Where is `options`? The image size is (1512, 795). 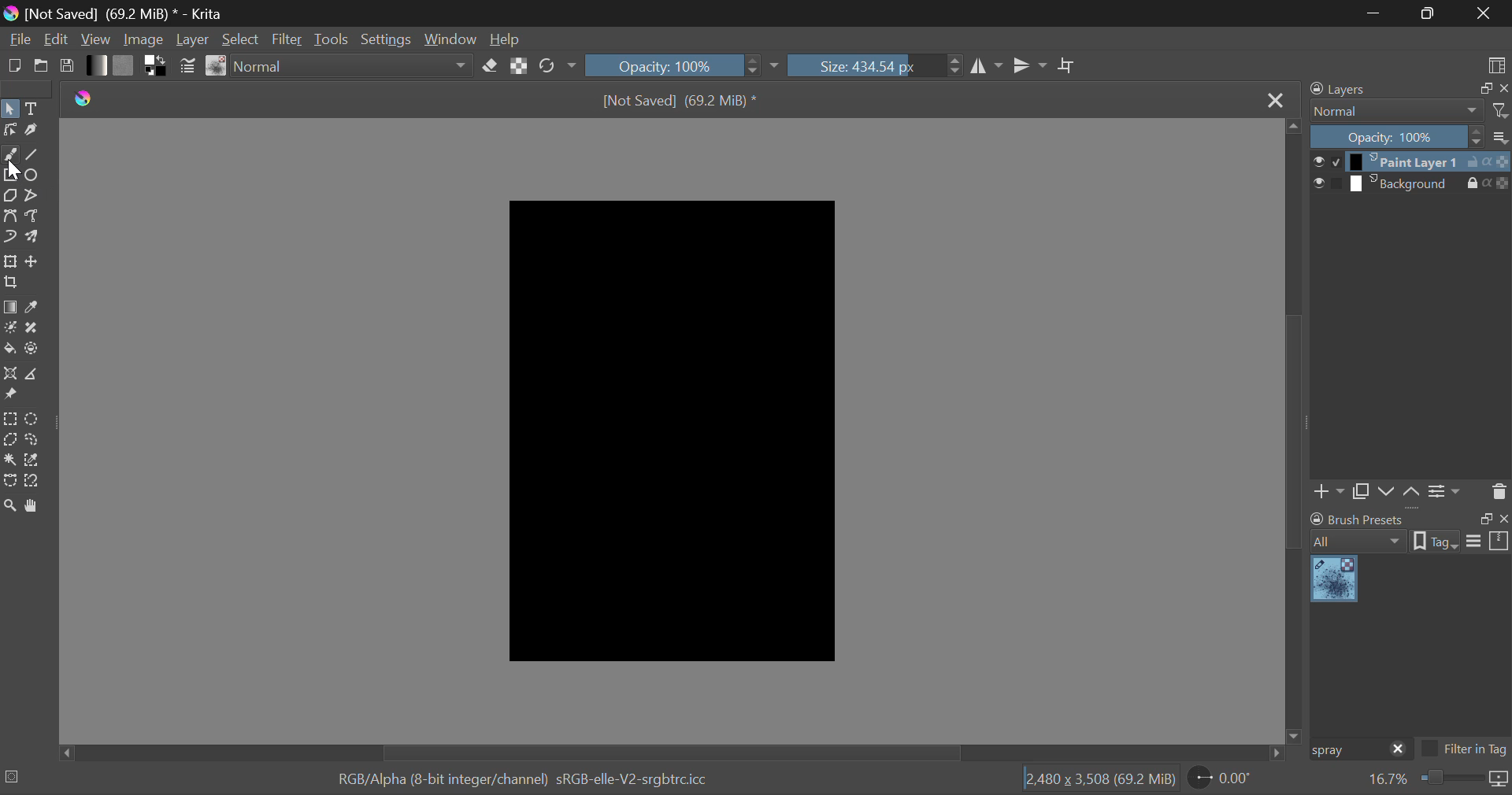 options is located at coordinates (1488, 540).